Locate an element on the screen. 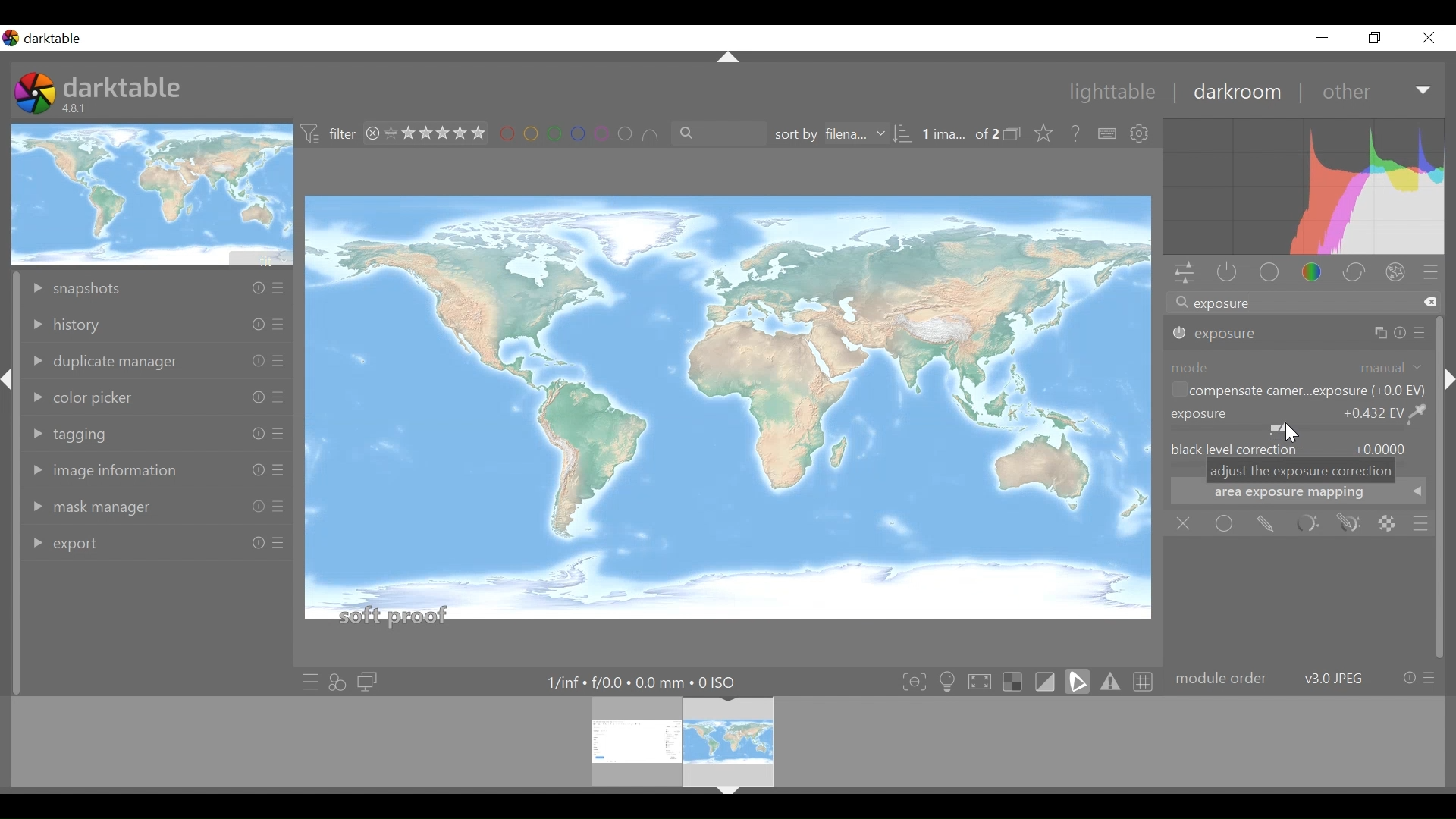 This screenshot has width=1456, height=819. histogram is located at coordinates (1304, 189).